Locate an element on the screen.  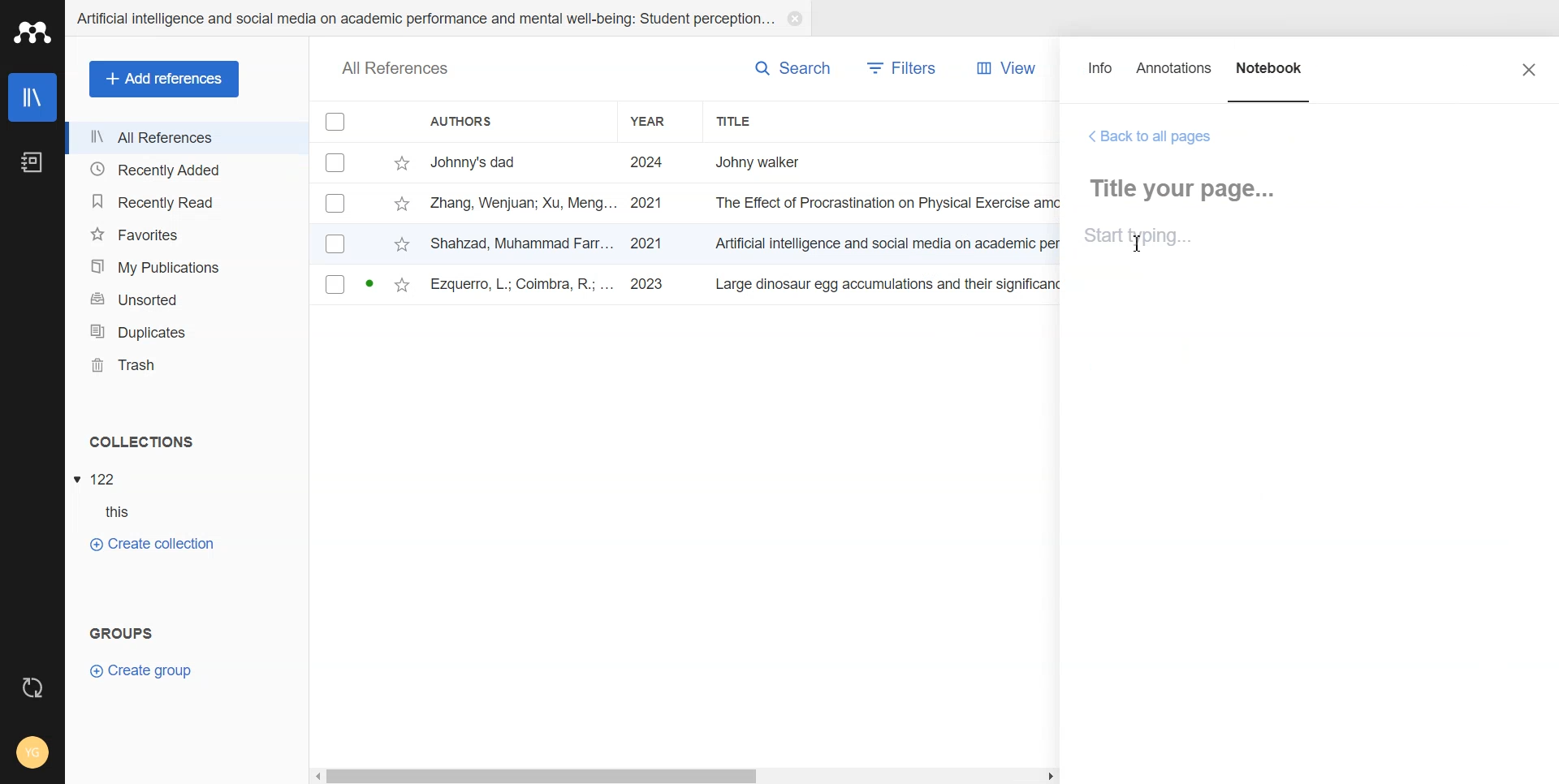
Authors is located at coordinates (514, 121).